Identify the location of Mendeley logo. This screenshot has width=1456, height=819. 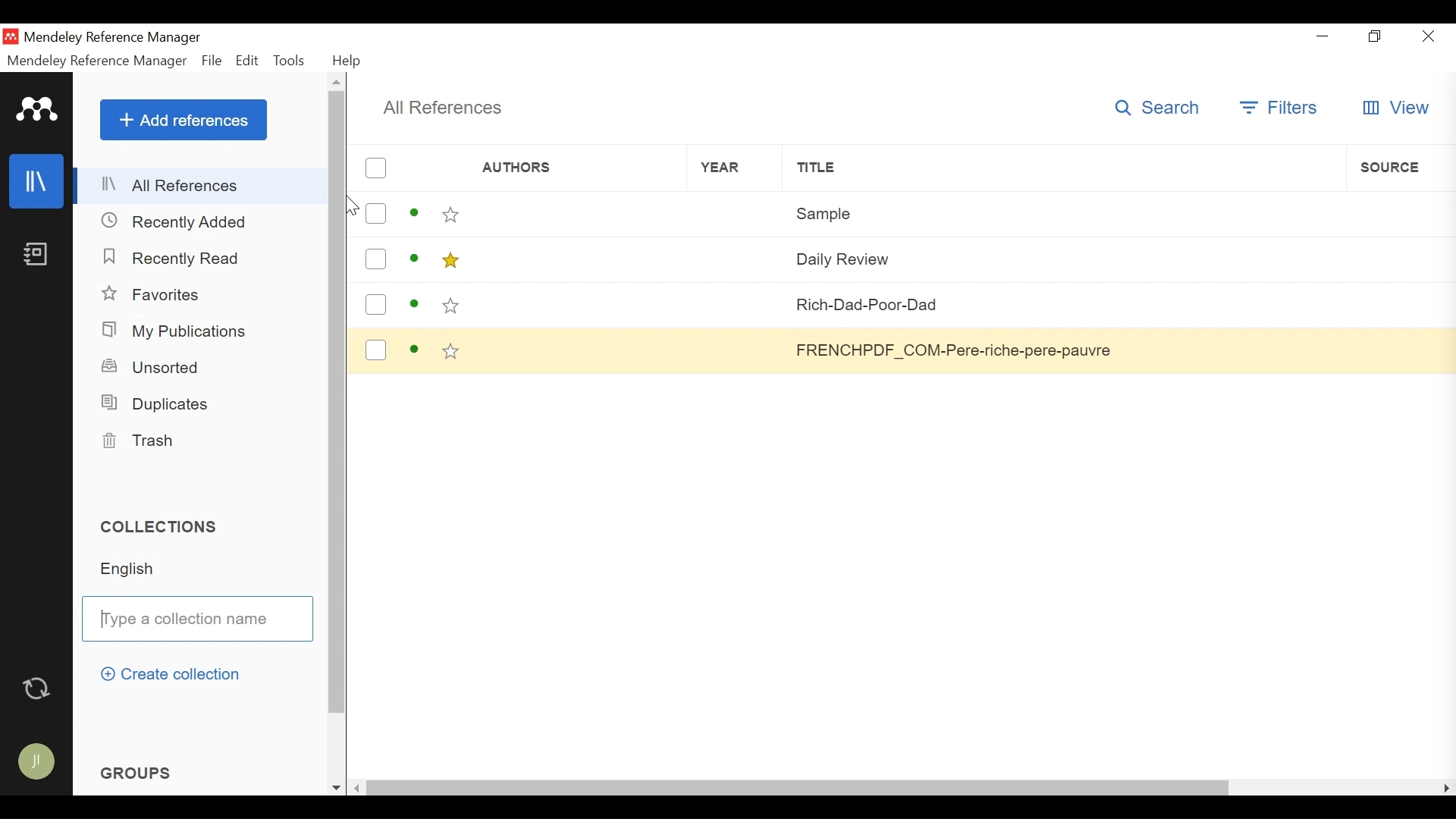
(37, 110).